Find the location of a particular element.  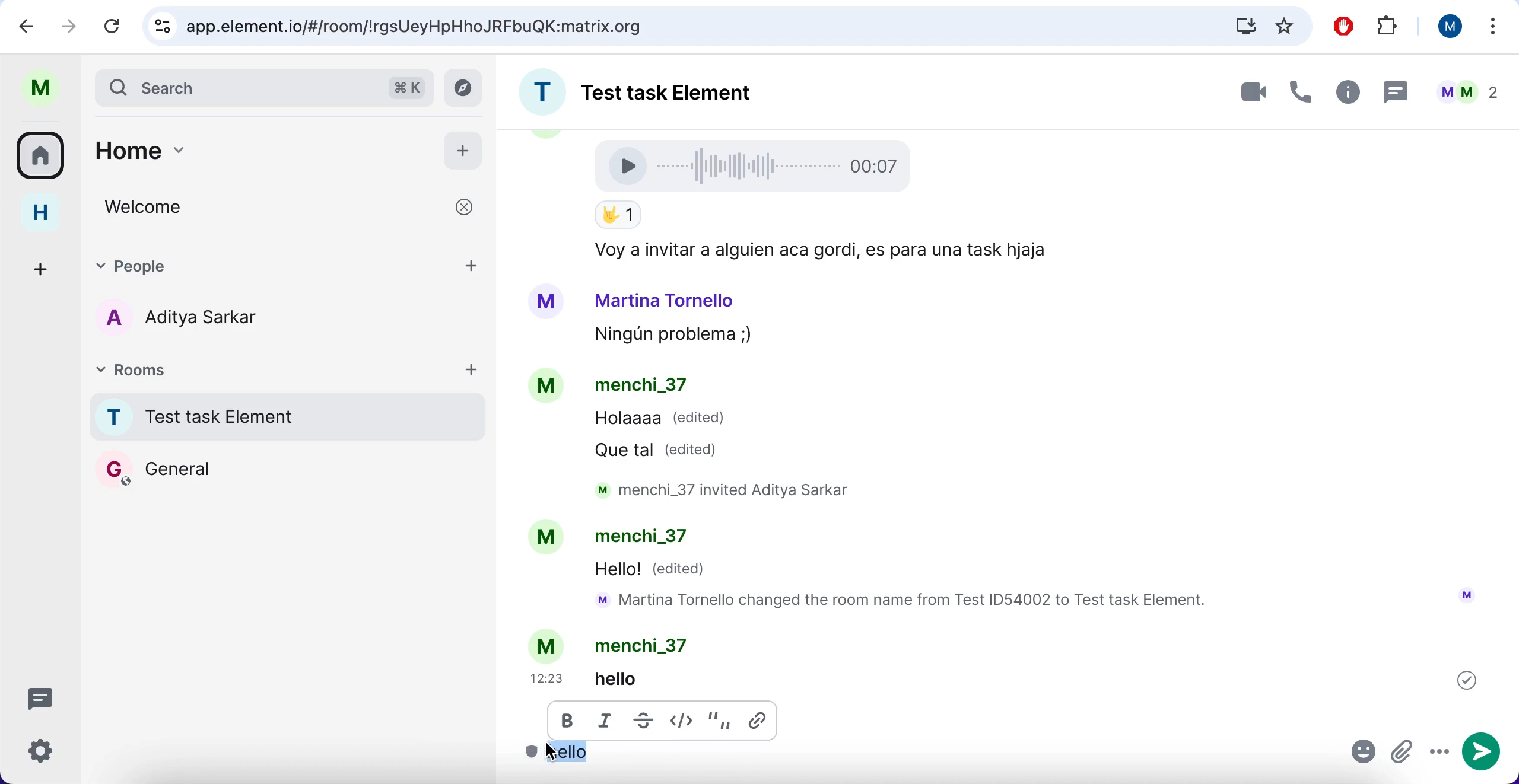

explore rooms is located at coordinates (466, 88).